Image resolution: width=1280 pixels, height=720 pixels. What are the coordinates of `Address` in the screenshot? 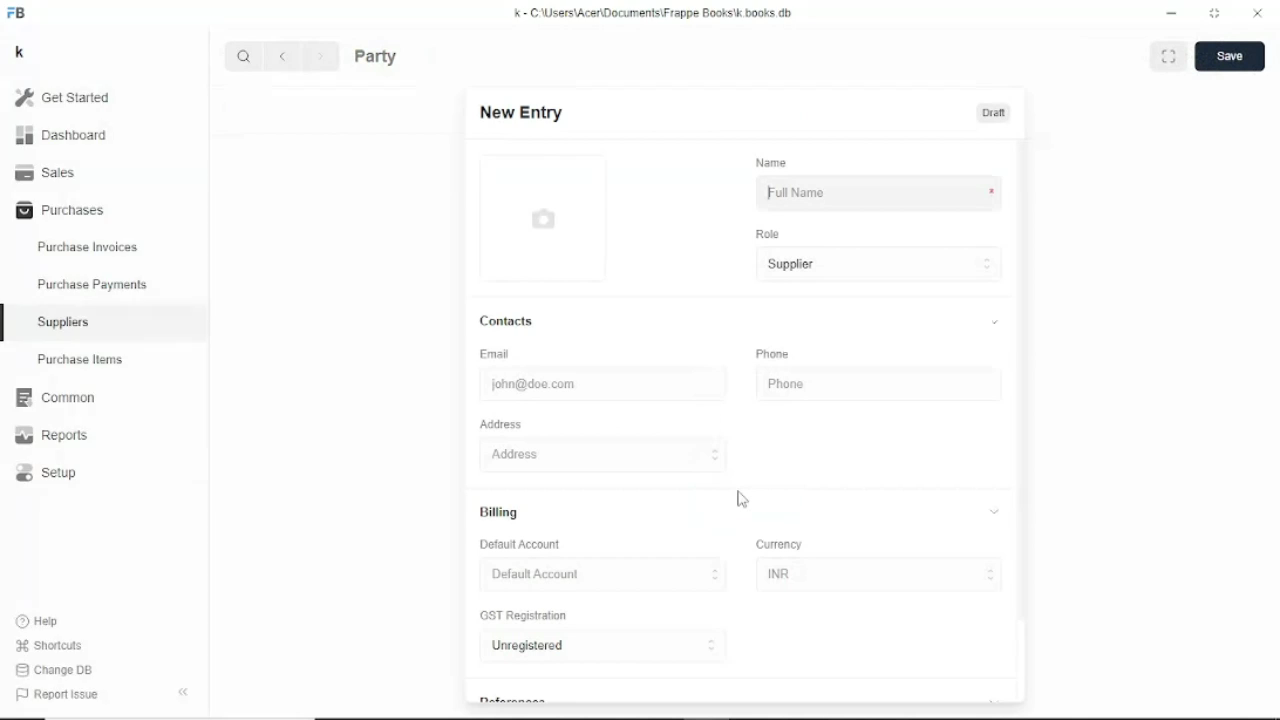 It's located at (501, 424).